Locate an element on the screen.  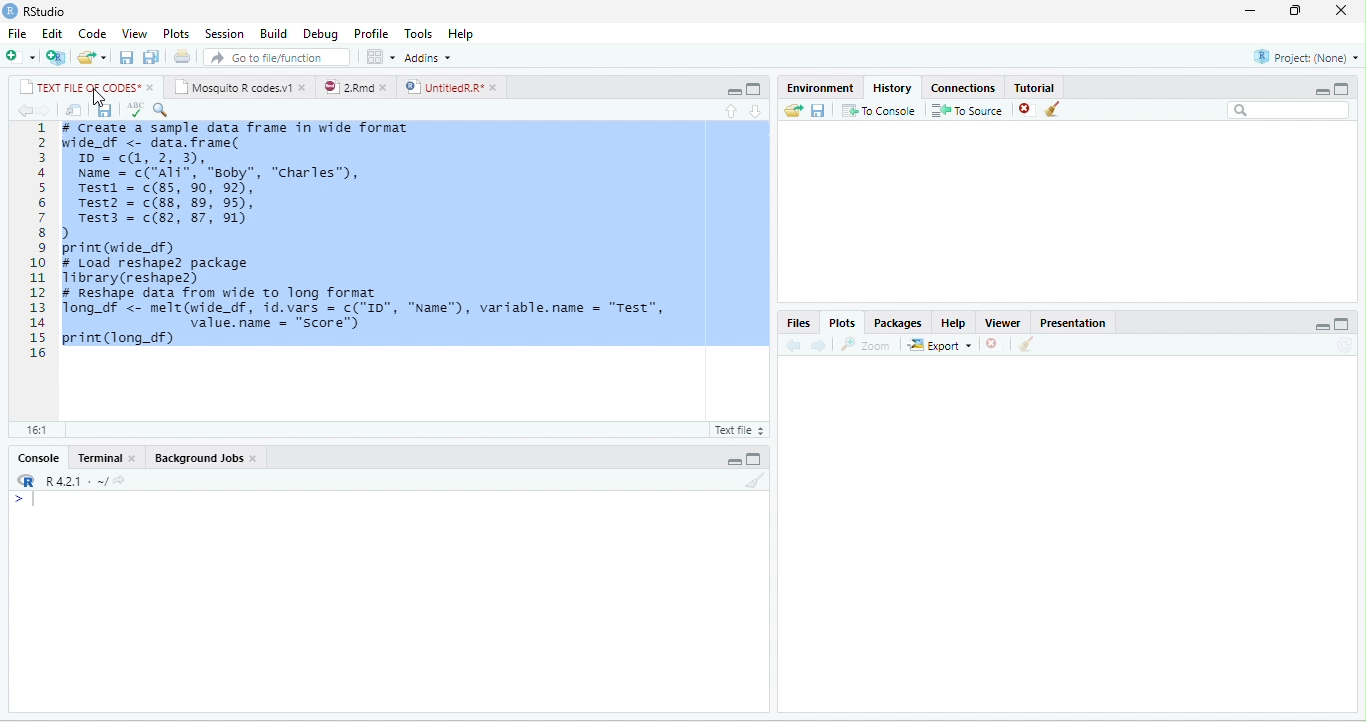
refresh is located at coordinates (1345, 345).